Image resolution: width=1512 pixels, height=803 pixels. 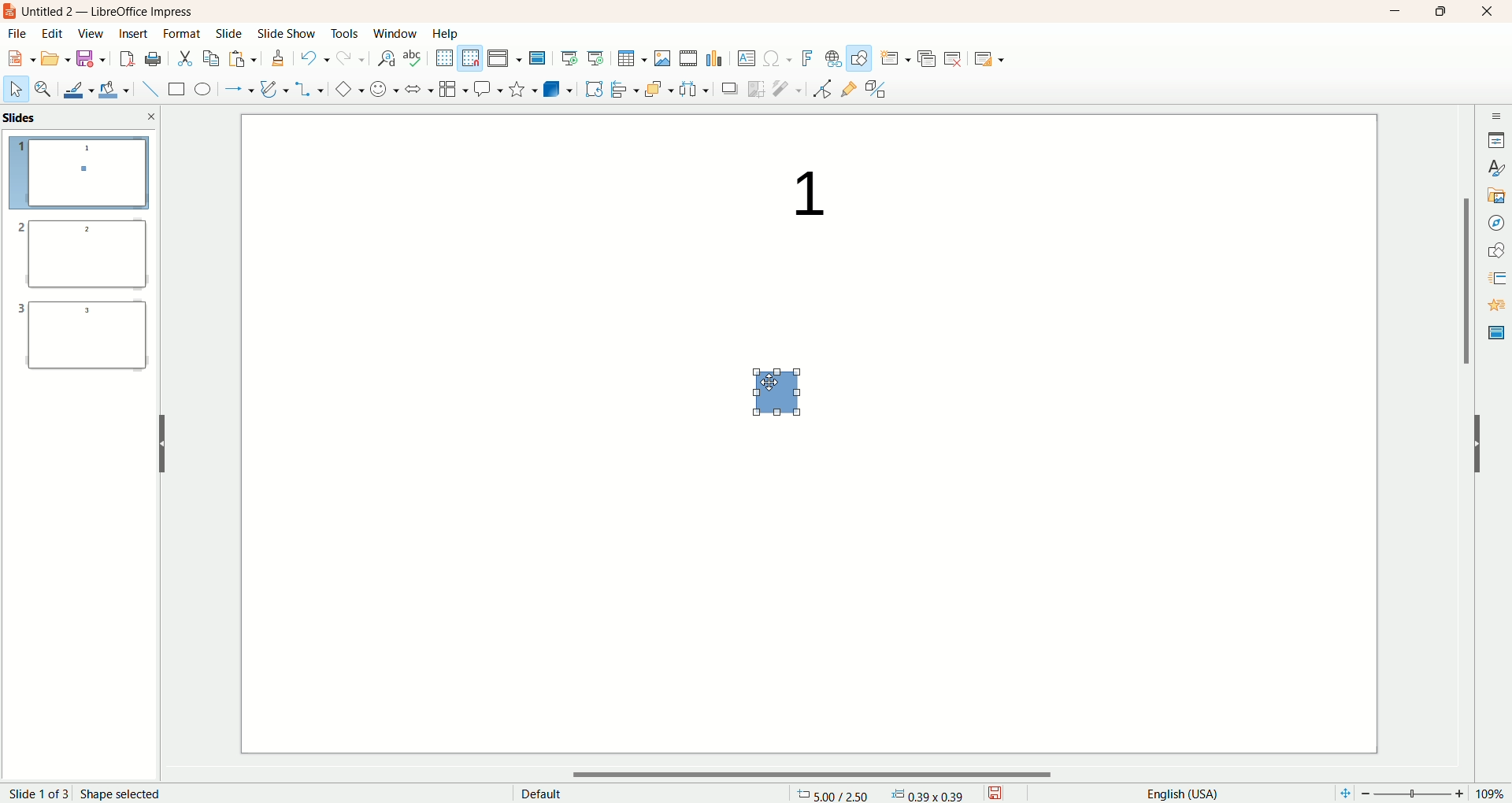 What do you see at coordinates (1466, 438) in the screenshot?
I see `vertical scroll bar` at bounding box center [1466, 438].